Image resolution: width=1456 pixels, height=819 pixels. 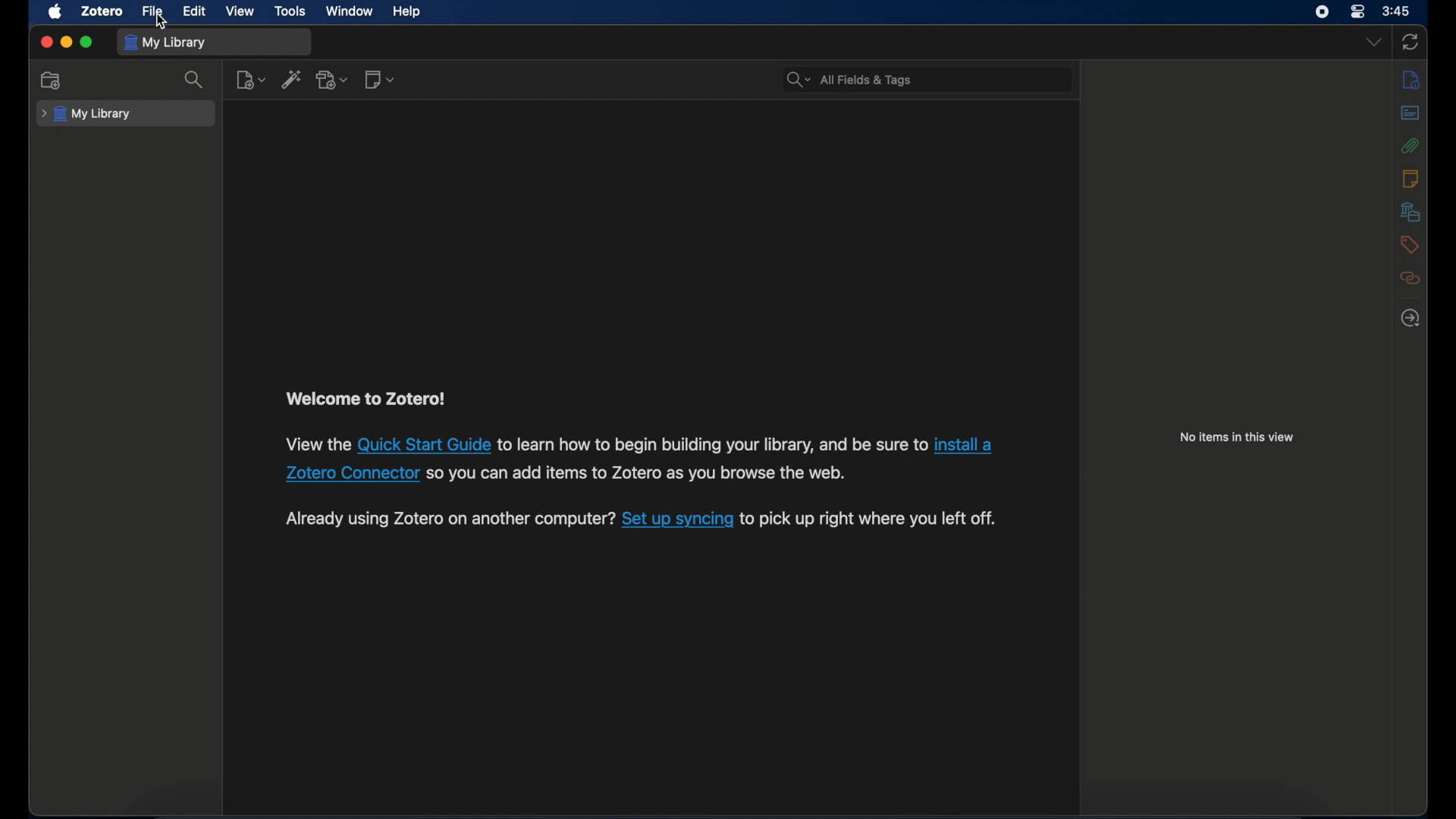 I want to click on related, so click(x=1411, y=278).